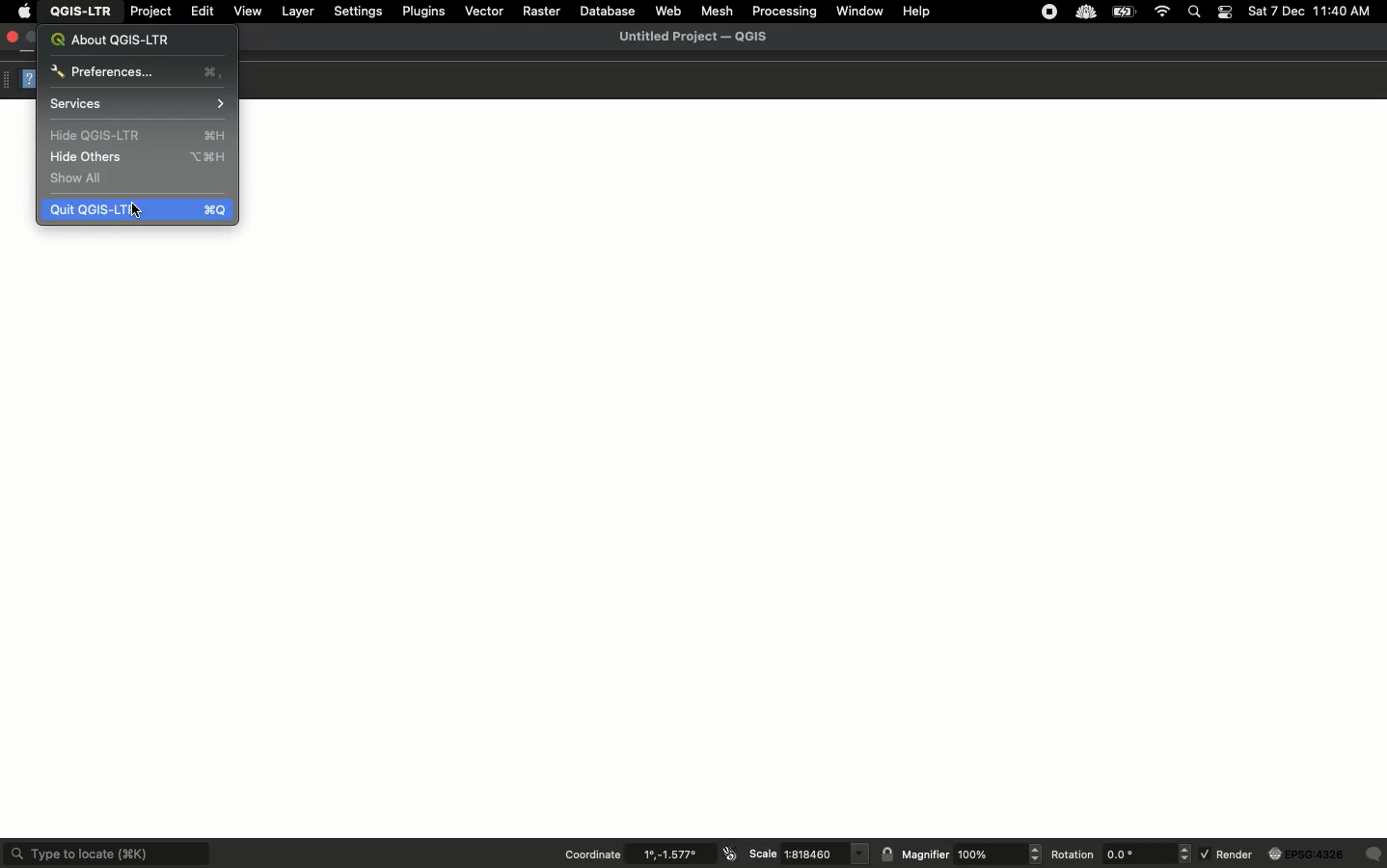 The width and height of the screenshot is (1387, 868). Describe the element at coordinates (204, 10) in the screenshot. I see `Edit` at that location.